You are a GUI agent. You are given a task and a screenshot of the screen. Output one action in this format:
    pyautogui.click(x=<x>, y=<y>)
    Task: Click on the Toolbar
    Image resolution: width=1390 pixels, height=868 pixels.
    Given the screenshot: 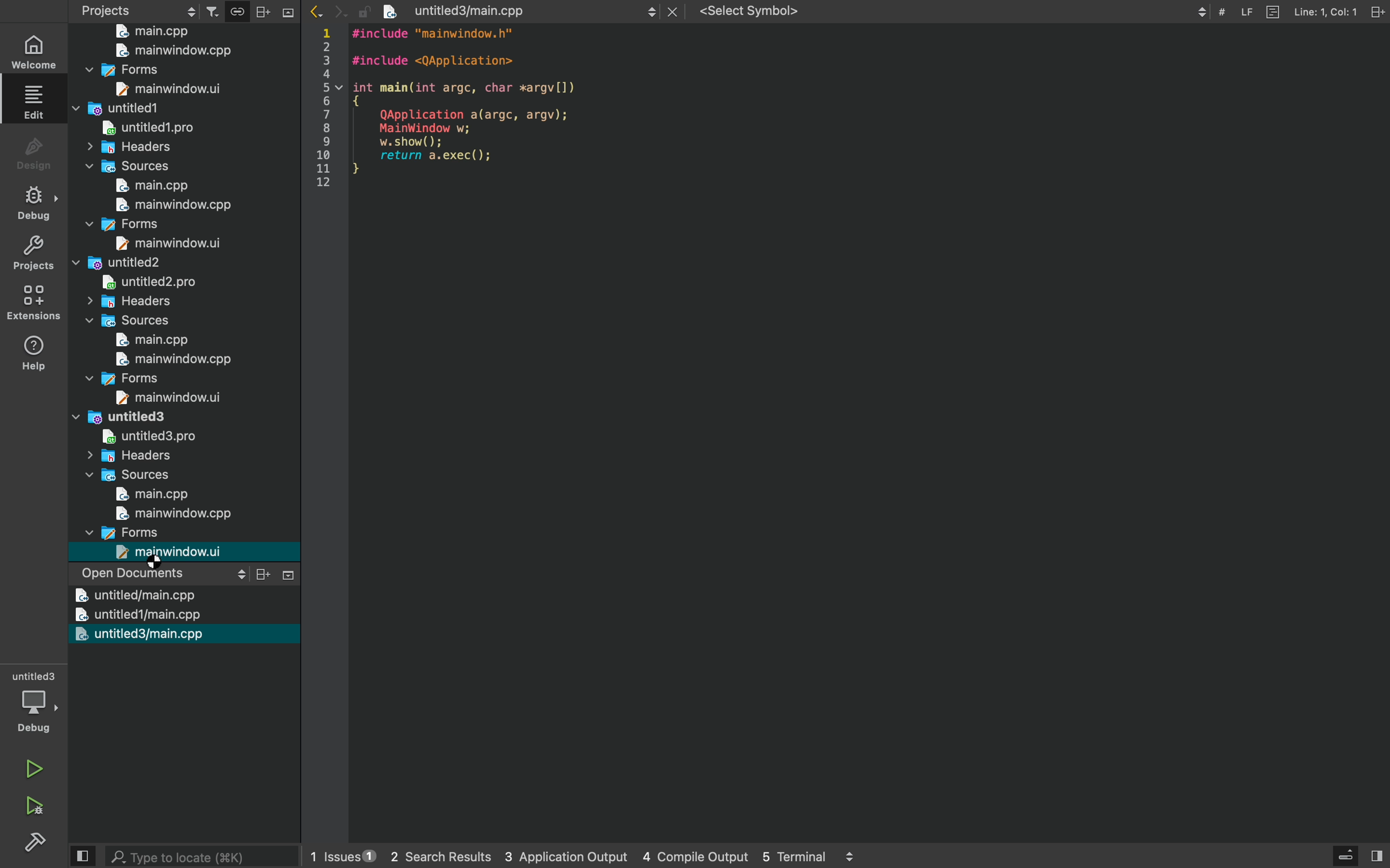 What is the action you would take?
    pyautogui.click(x=1293, y=17)
    